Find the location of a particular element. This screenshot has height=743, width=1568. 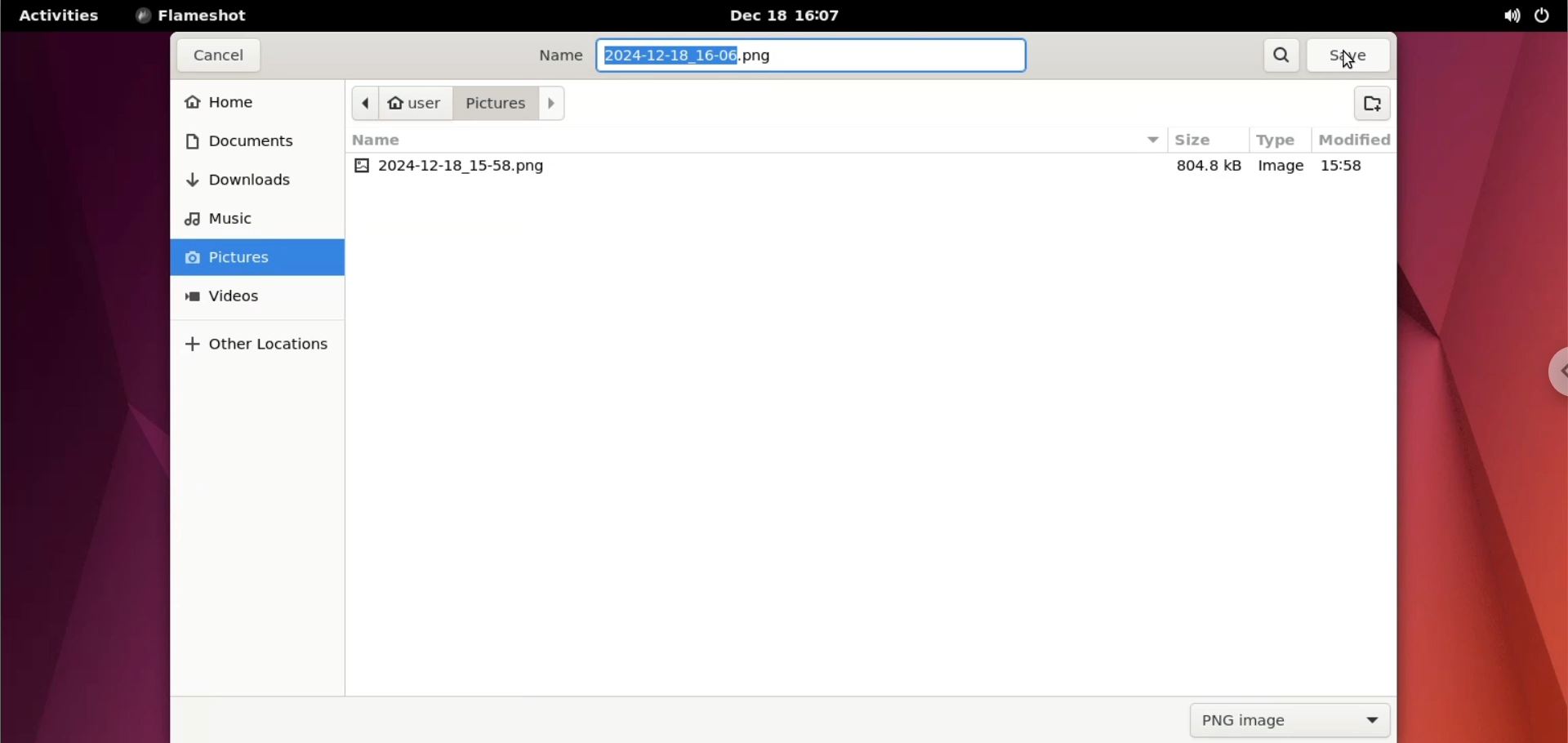

size label is located at coordinates (1196, 140).